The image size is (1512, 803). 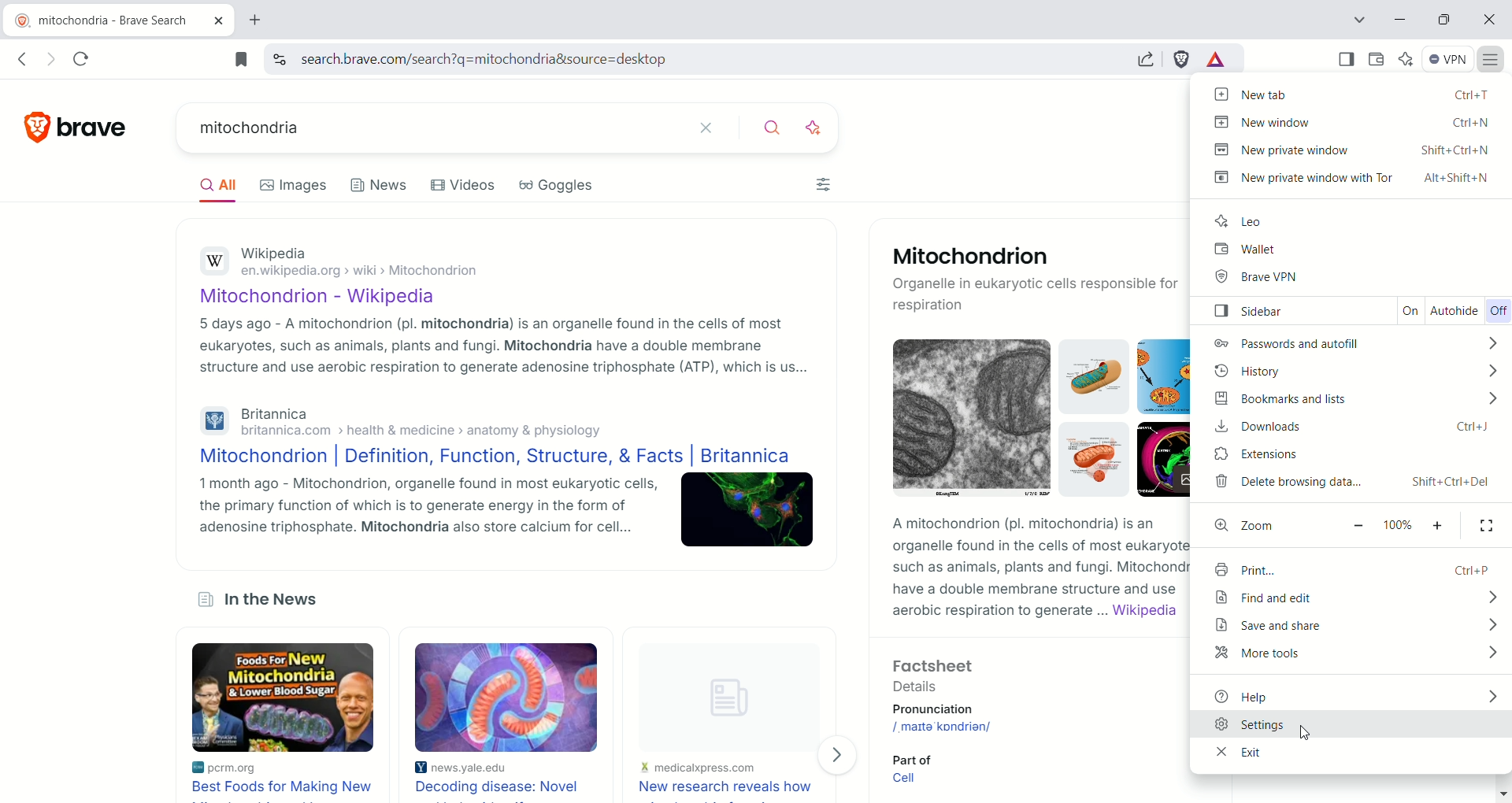 I want to click on close, so click(x=1493, y=16).